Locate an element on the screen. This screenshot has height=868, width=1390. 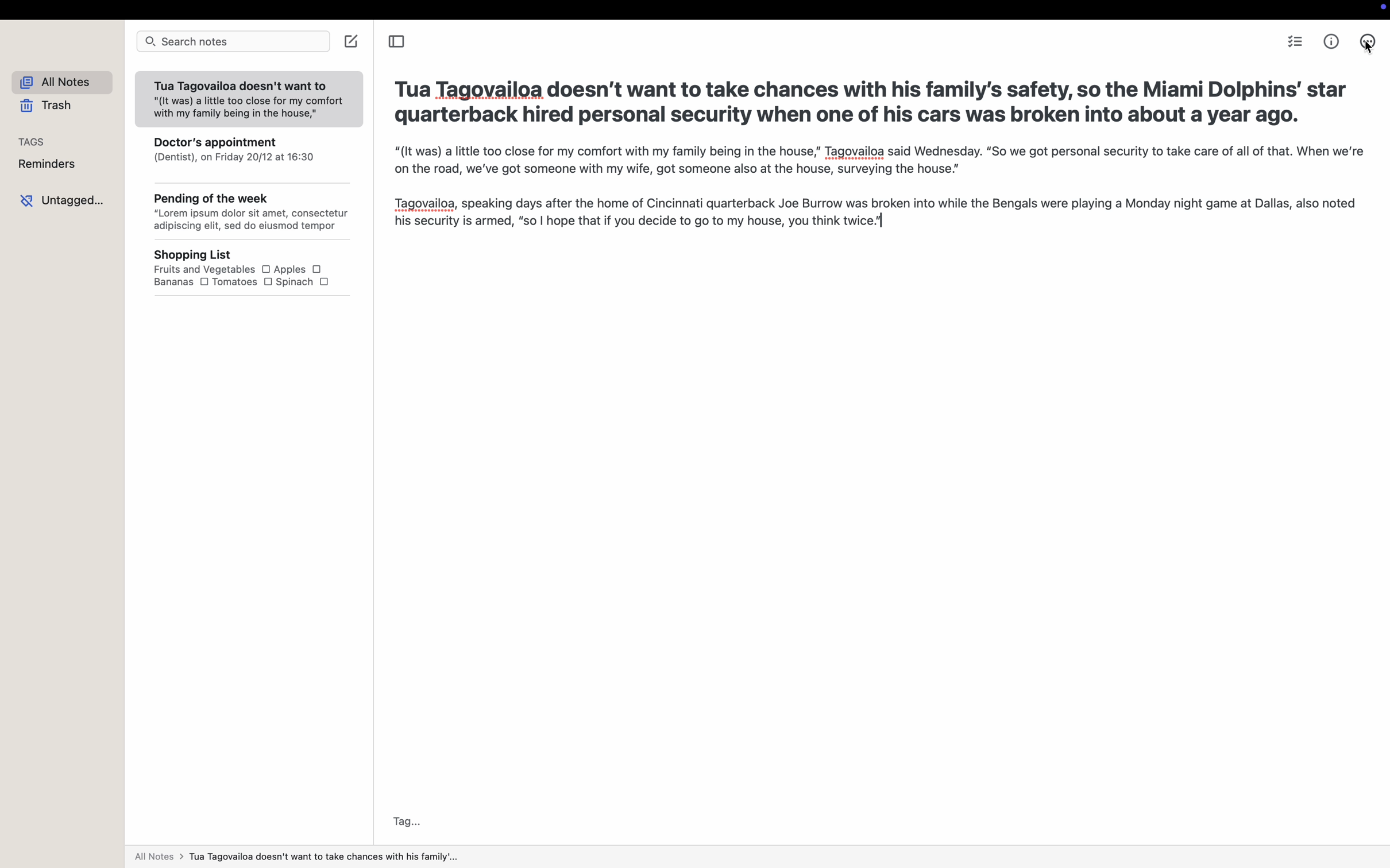
tag is located at coordinates (408, 821).